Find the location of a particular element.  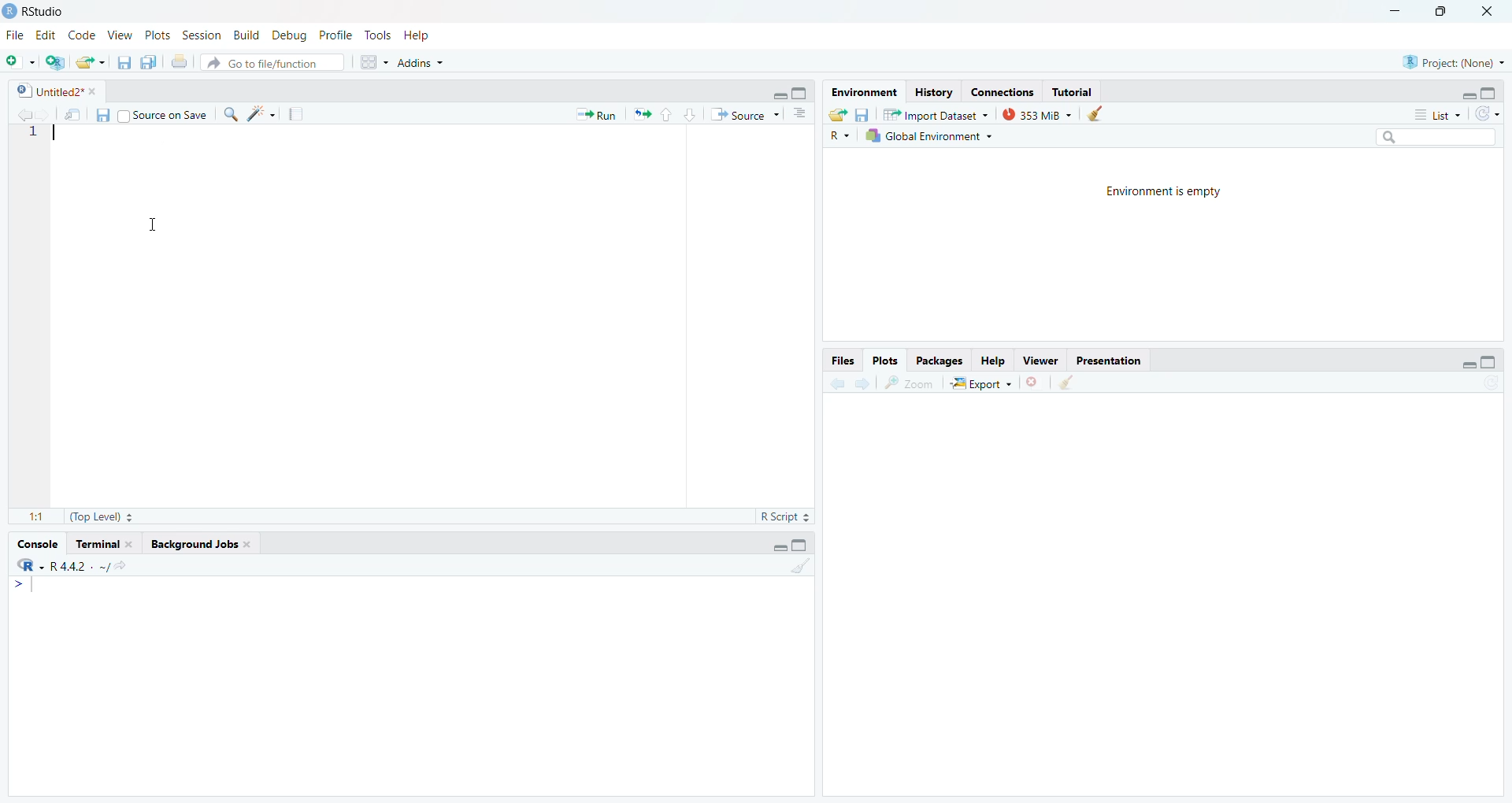

zoom is located at coordinates (908, 383).